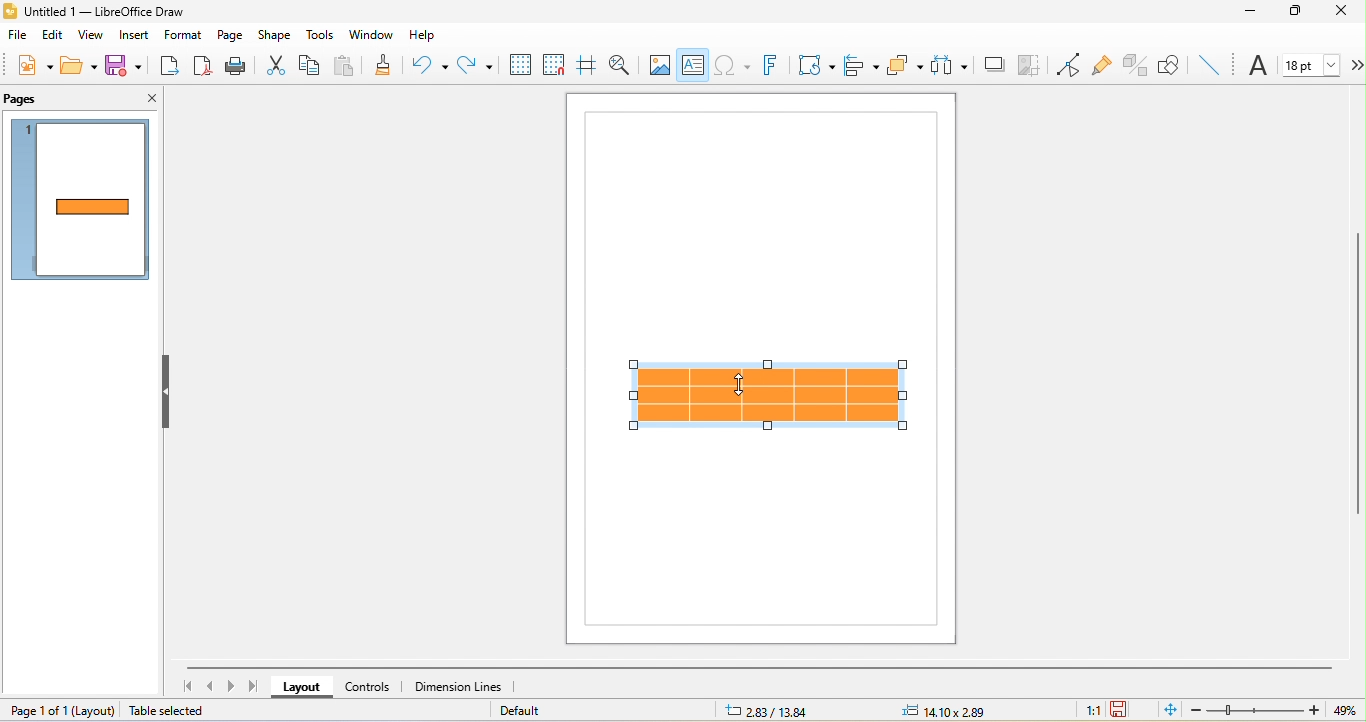 This screenshot has height=722, width=1366. Describe the element at coordinates (1347, 12) in the screenshot. I see `close` at that location.